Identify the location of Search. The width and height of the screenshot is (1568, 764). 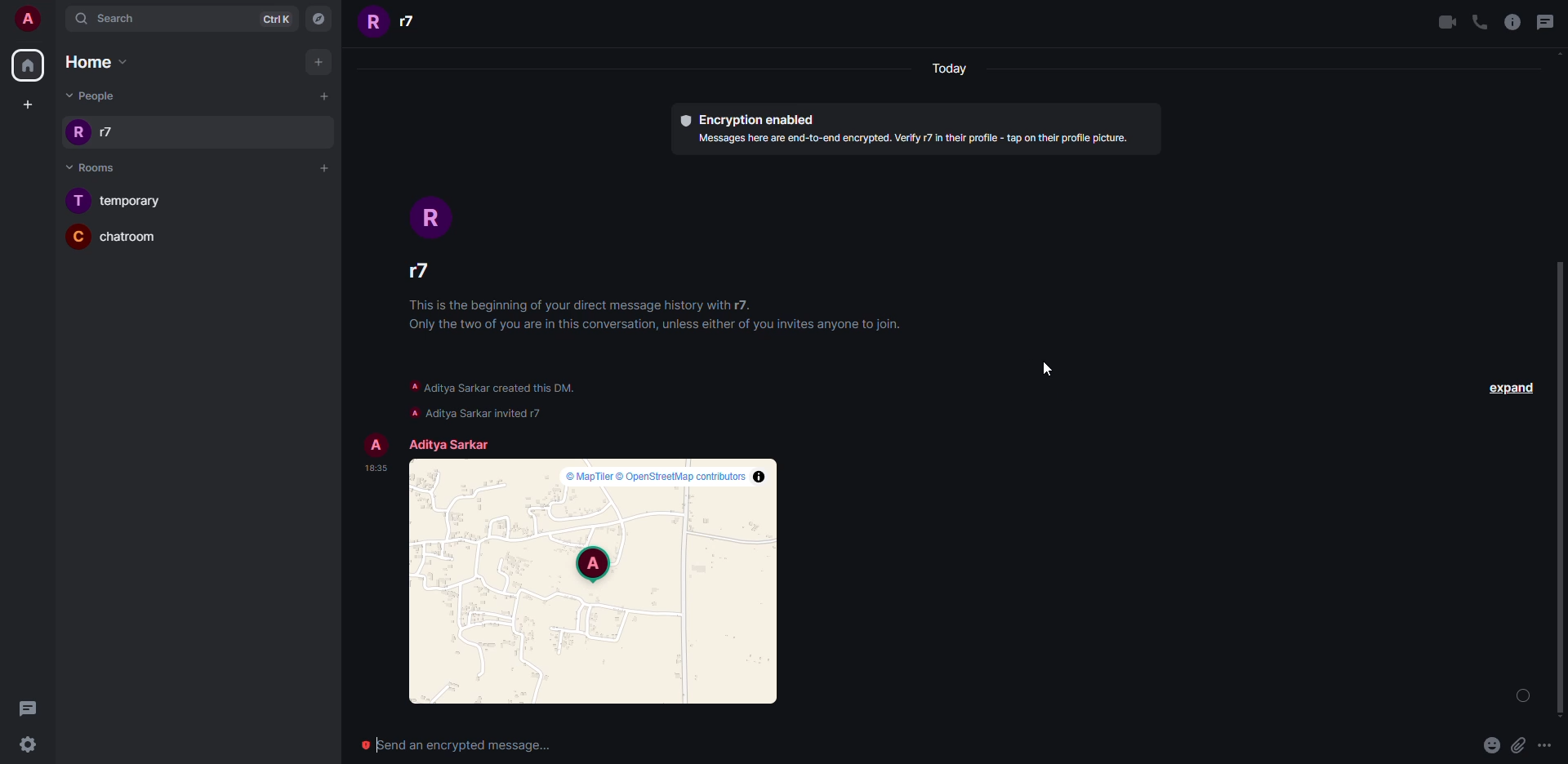
(153, 19).